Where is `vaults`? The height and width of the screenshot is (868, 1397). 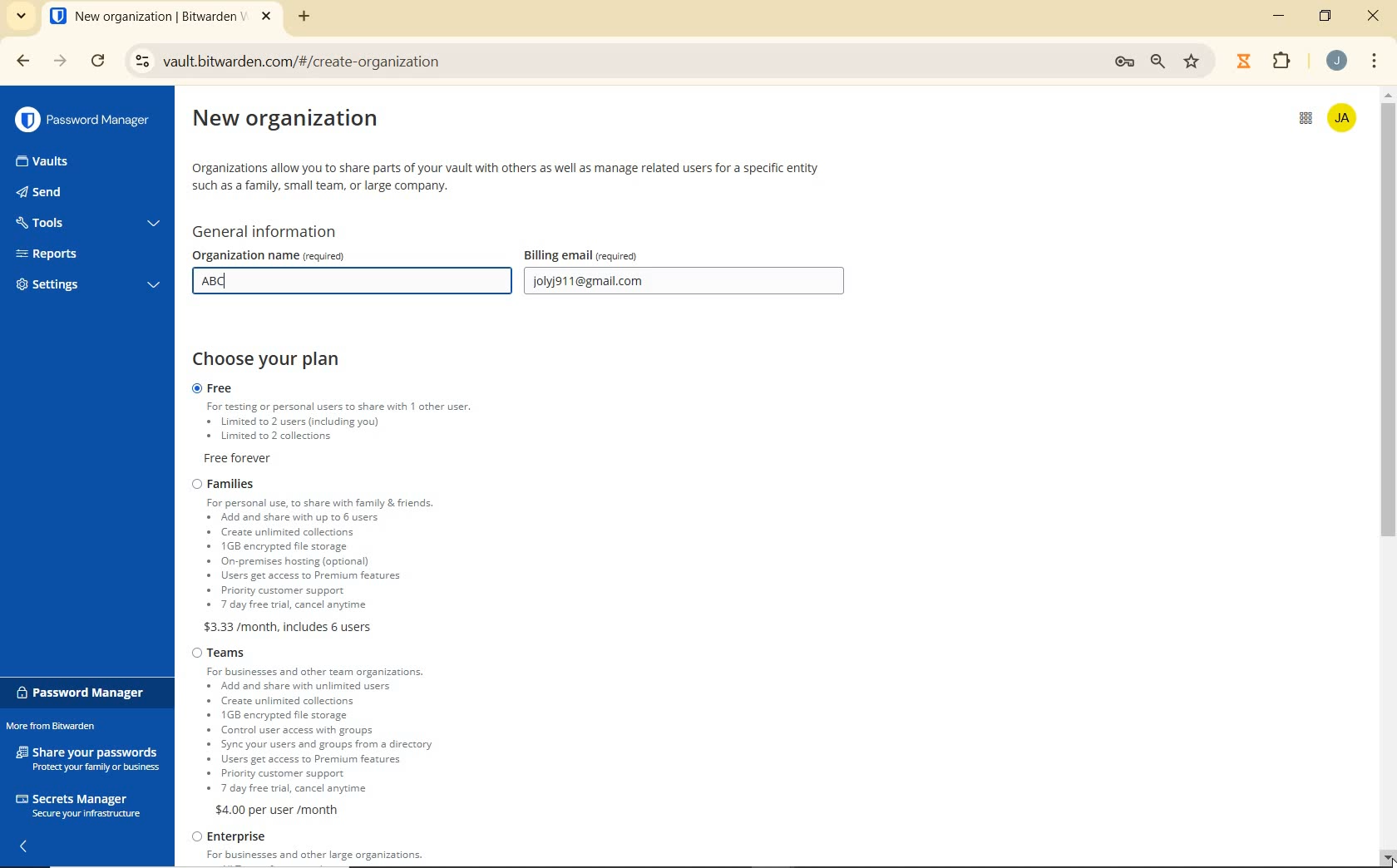 vaults is located at coordinates (57, 162).